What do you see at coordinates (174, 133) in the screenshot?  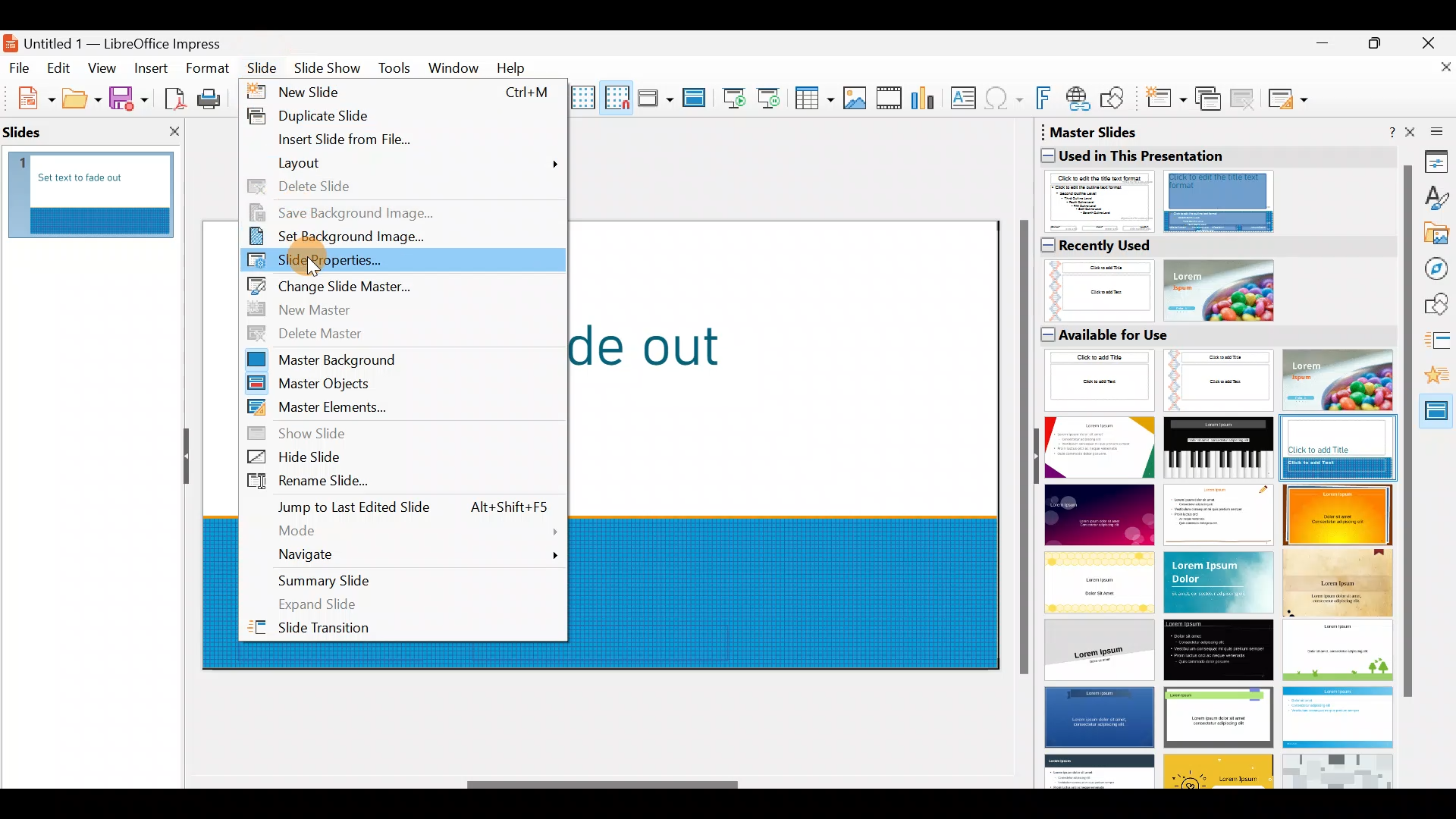 I see `close slide` at bounding box center [174, 133].